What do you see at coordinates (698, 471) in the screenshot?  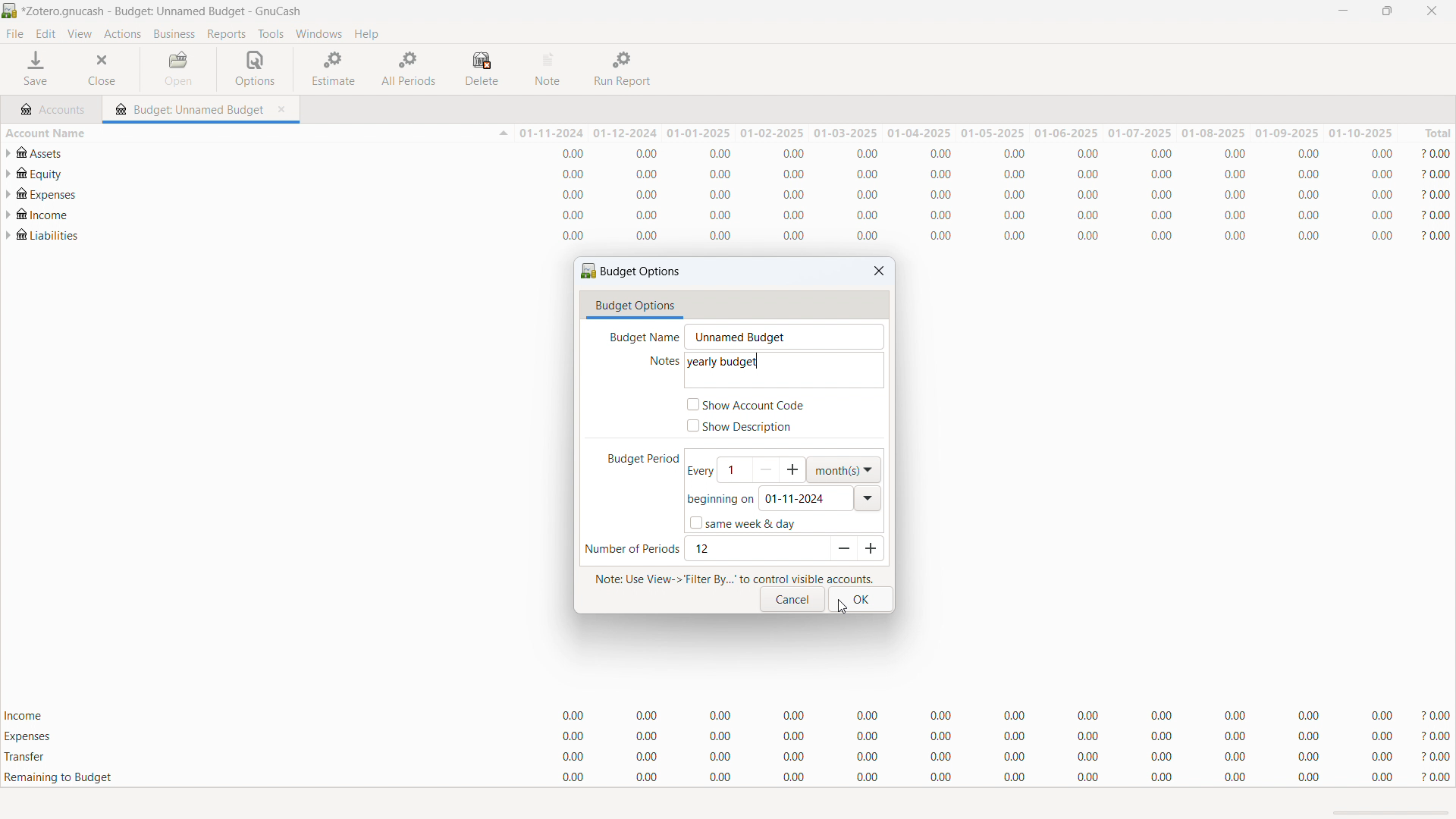 I see `every` at bounding box center [698, 471].